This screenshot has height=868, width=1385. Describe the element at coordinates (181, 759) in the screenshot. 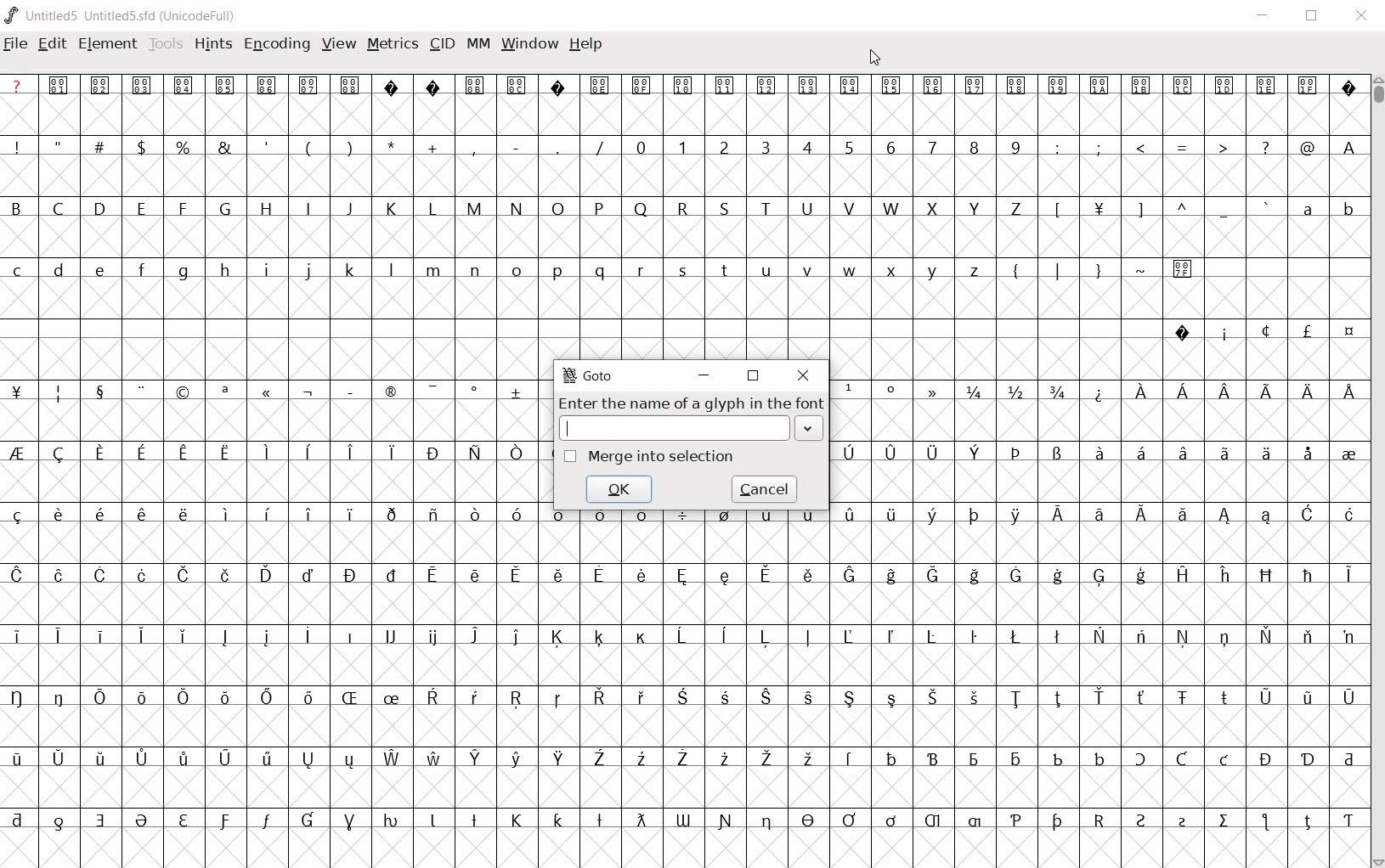

I see `Symbol` at that location.